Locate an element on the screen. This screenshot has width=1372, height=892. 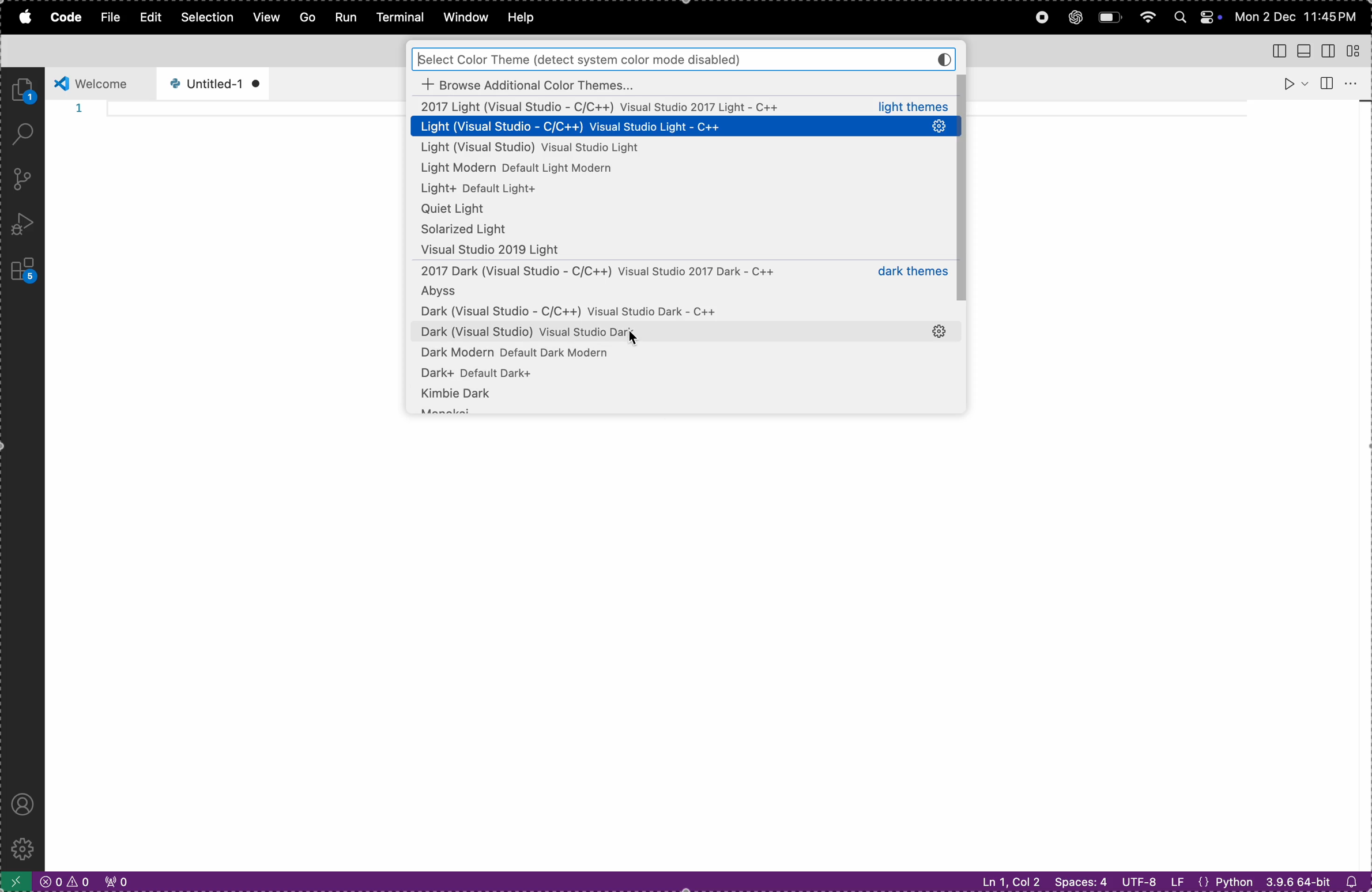
edit is located at coordinates (148, 18).